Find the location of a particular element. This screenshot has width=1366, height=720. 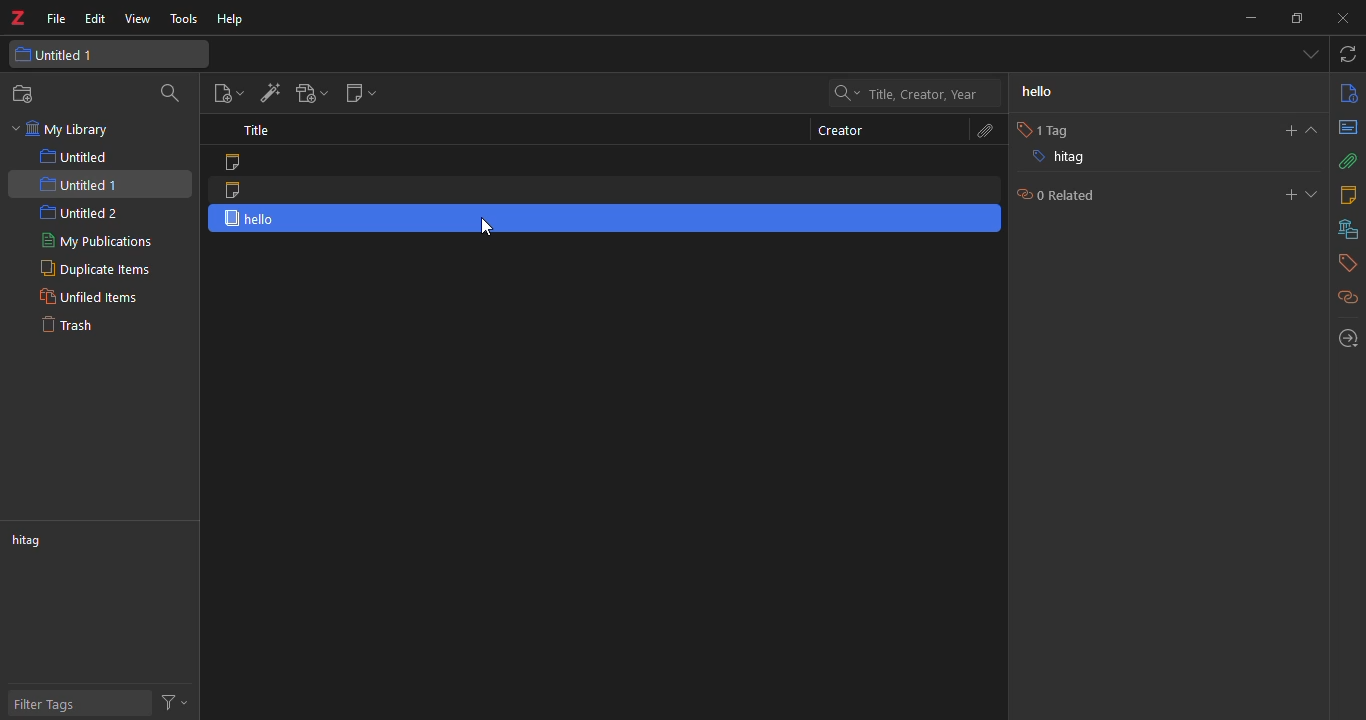

hello is located at coordinates (255, 218).